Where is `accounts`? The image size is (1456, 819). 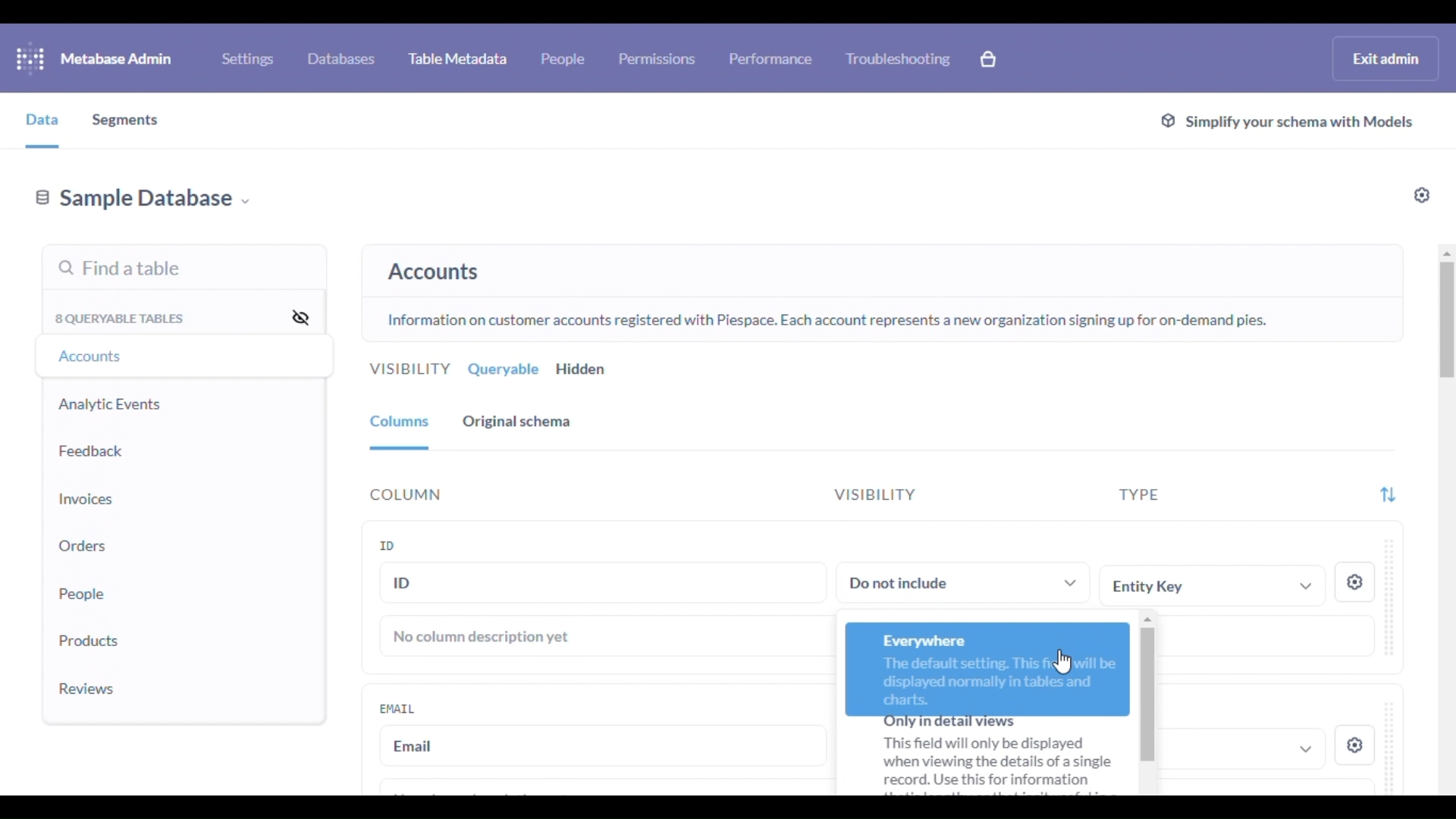
accounts is located at coordinates (94, 356).